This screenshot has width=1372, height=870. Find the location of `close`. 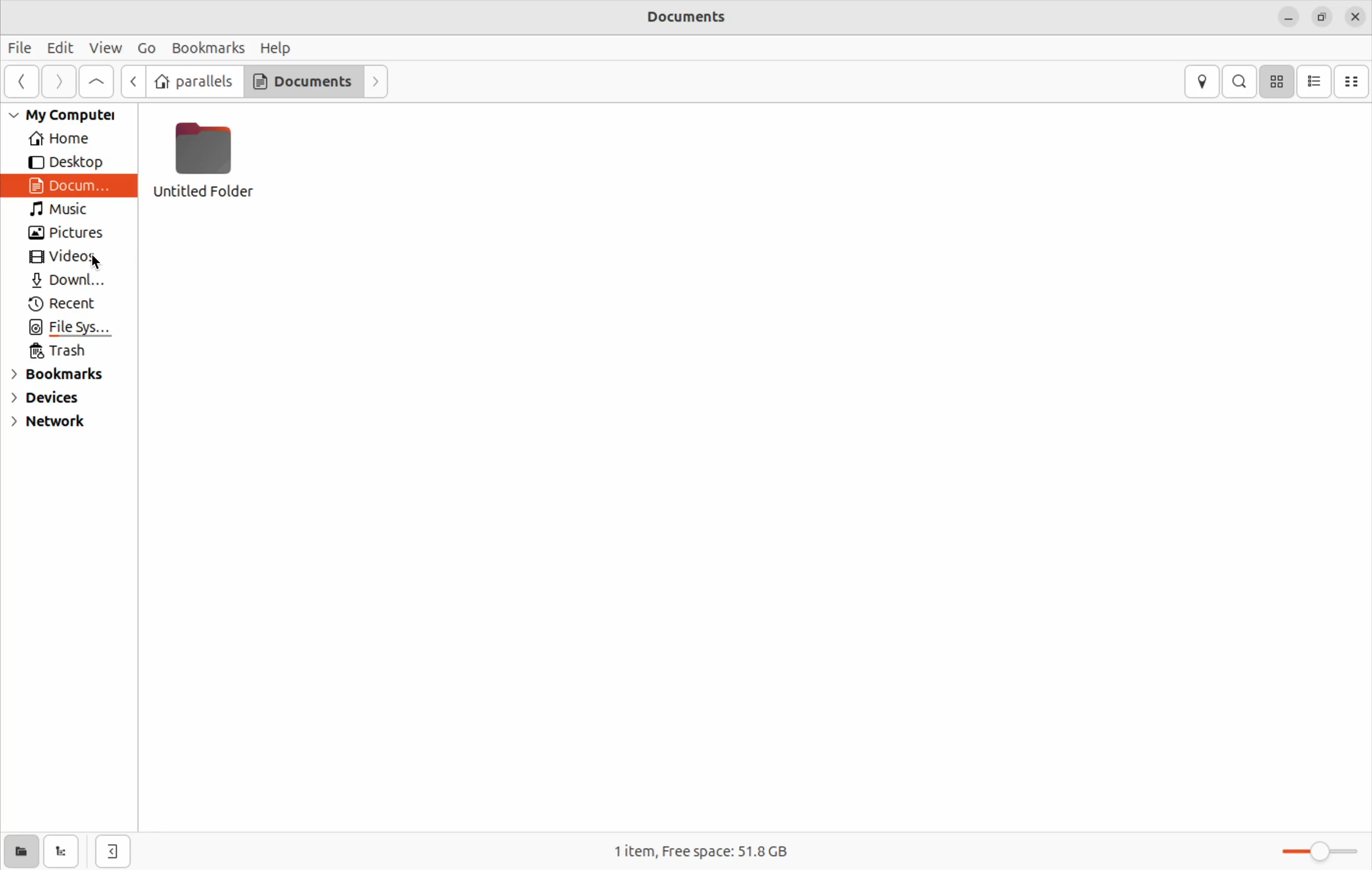

close is located at coordinates (1357, 15).